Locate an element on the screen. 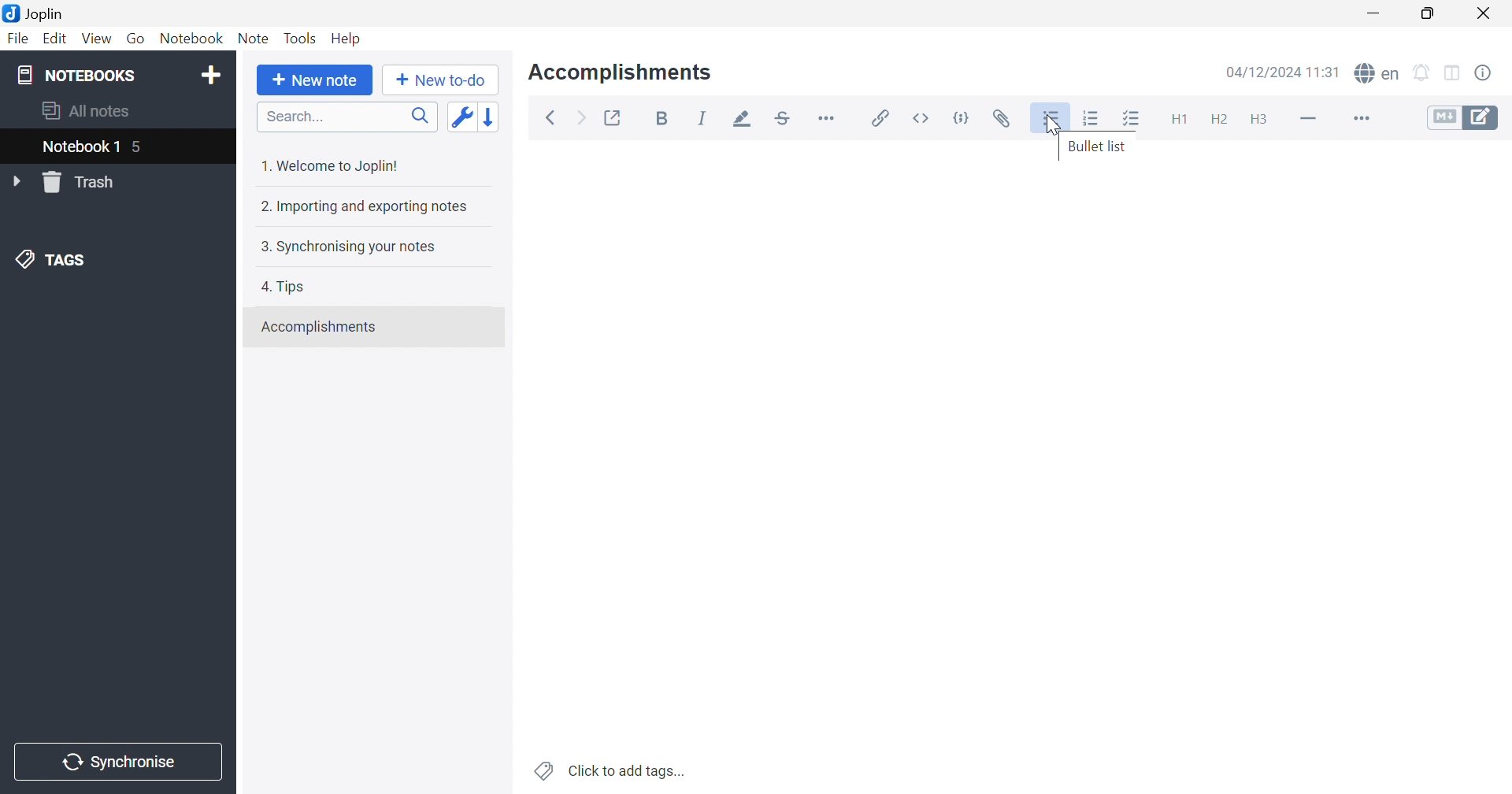  Toggle editors is located at coordinates (1463, 120).